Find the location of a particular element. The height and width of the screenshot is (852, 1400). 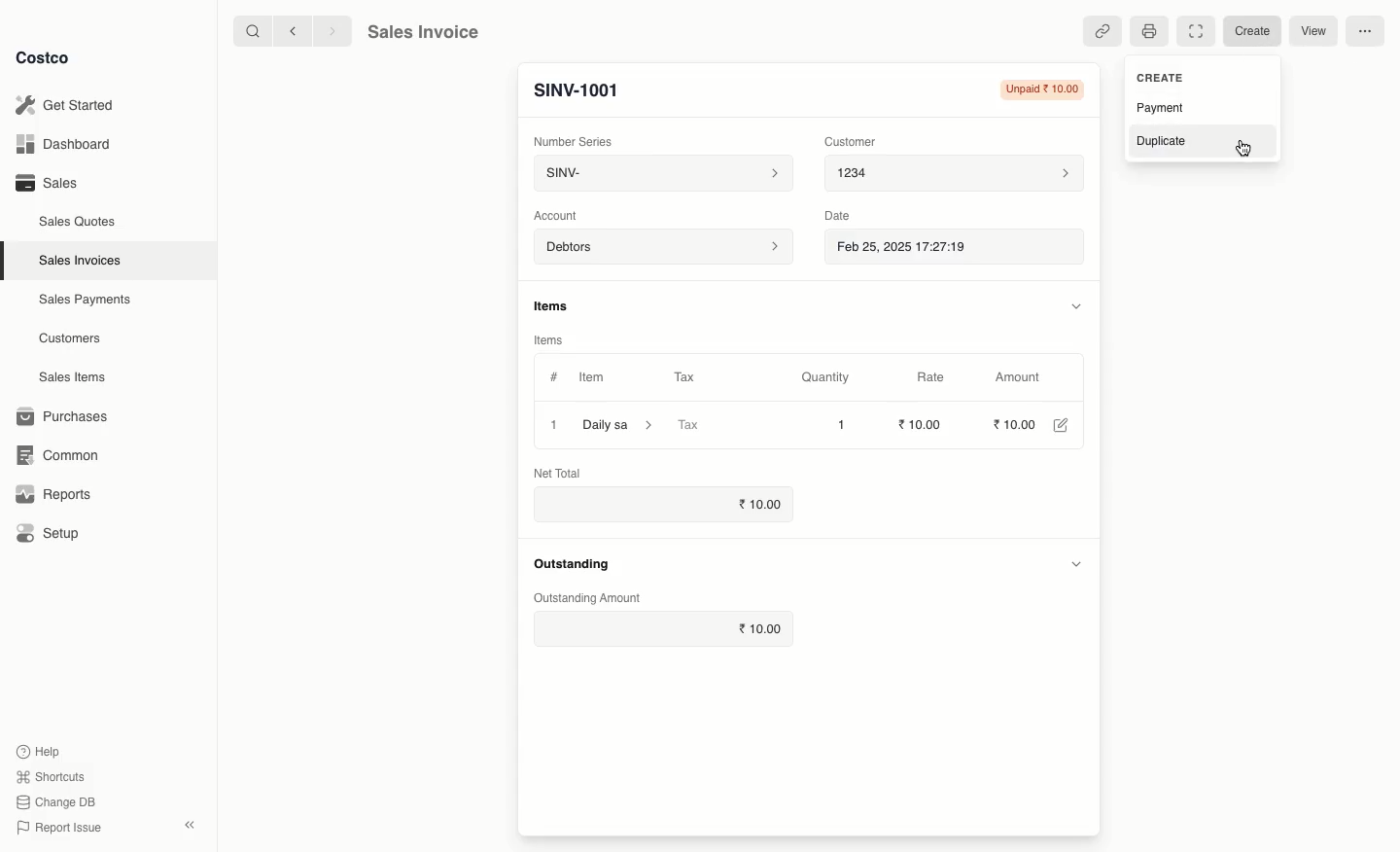

Get Started is located at coordinates (72, 104).